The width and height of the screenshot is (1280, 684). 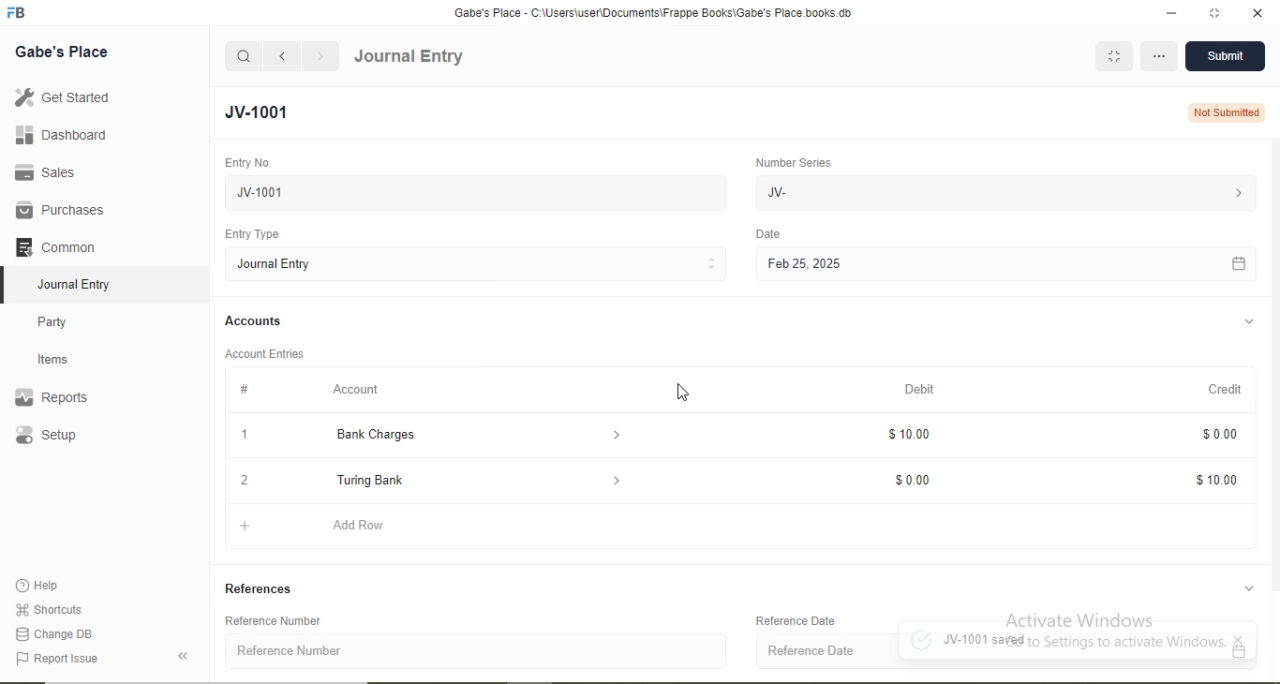 What do you see at coordinates (478, 192) in the screenshot?
I see `New Journal Entry 05` at bounding box center [478, 192].